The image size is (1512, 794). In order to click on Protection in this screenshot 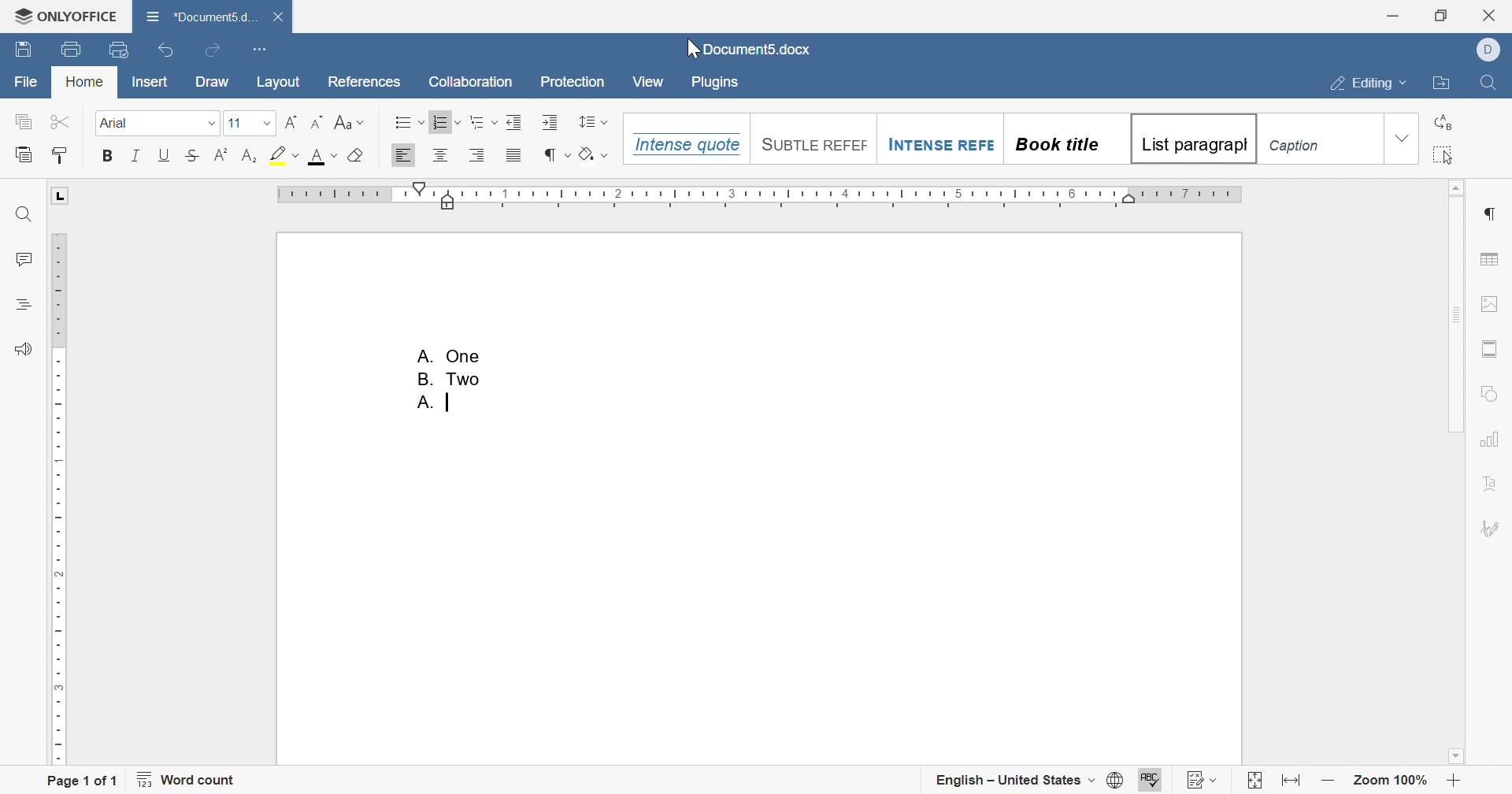, I will do `click(575, 82)`.